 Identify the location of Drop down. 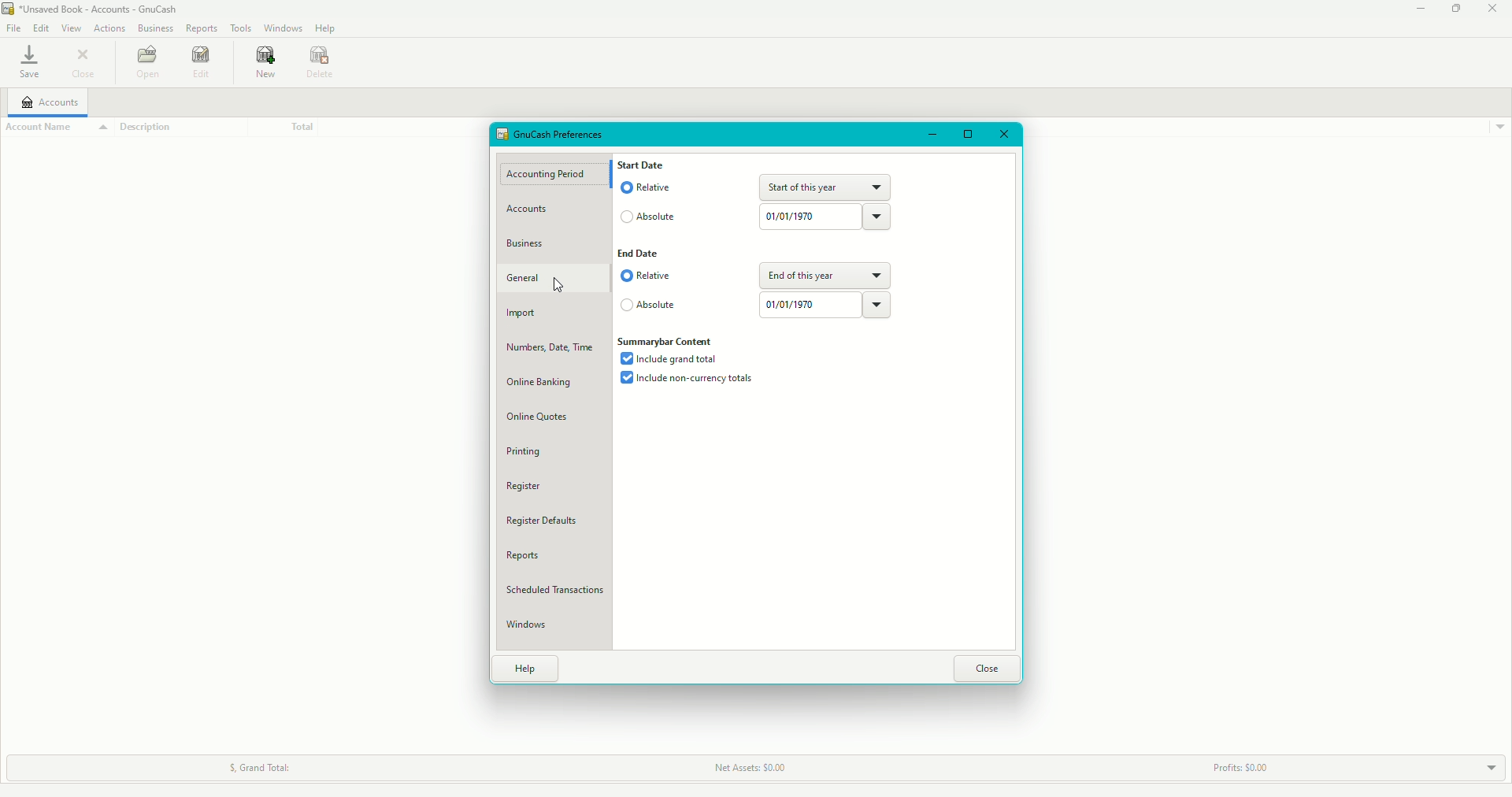
(1499, 127).